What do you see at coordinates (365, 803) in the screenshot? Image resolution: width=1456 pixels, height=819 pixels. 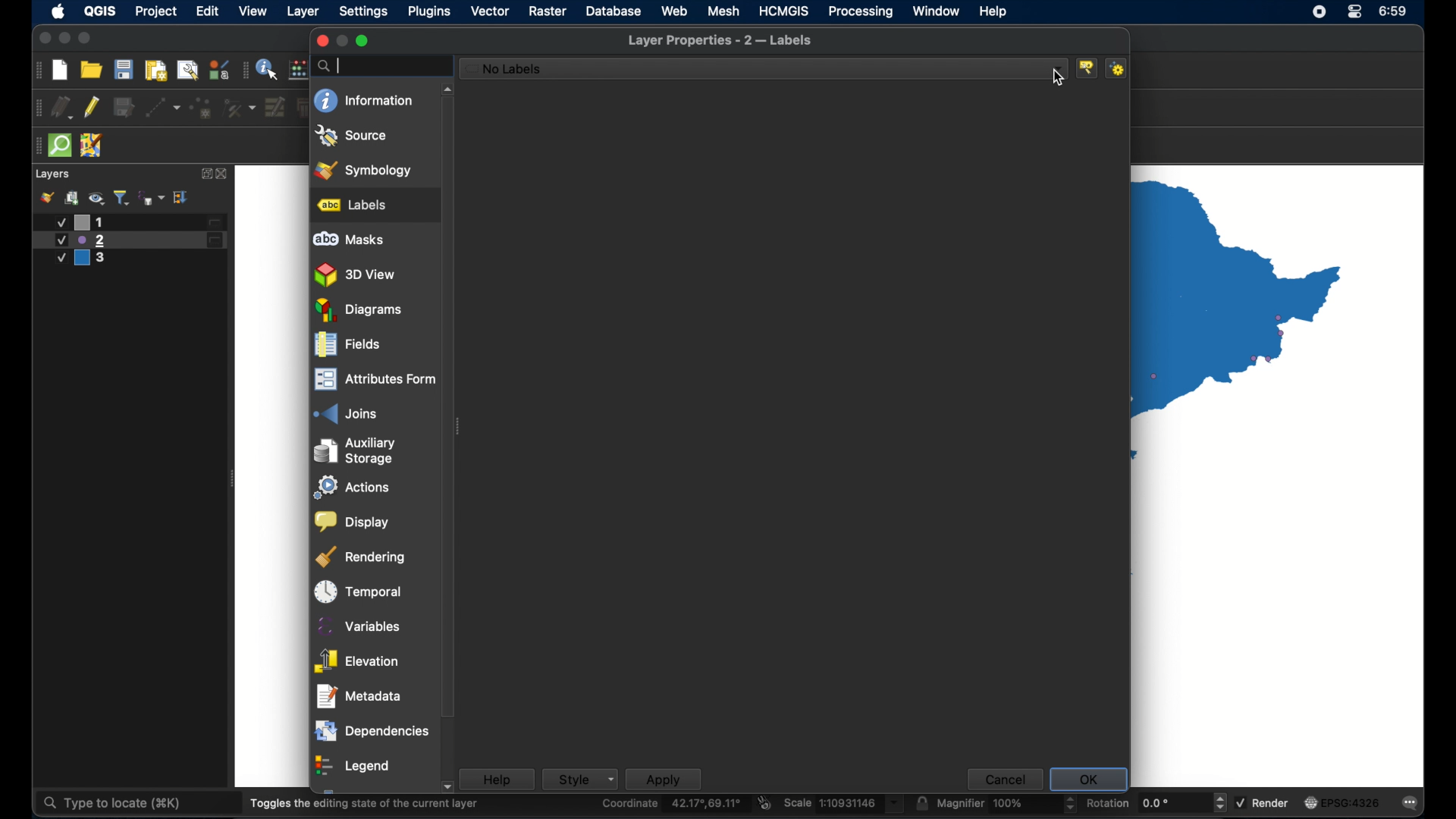 I see `toggles the  dining state of the current layer` at bounding box center [365, 803].